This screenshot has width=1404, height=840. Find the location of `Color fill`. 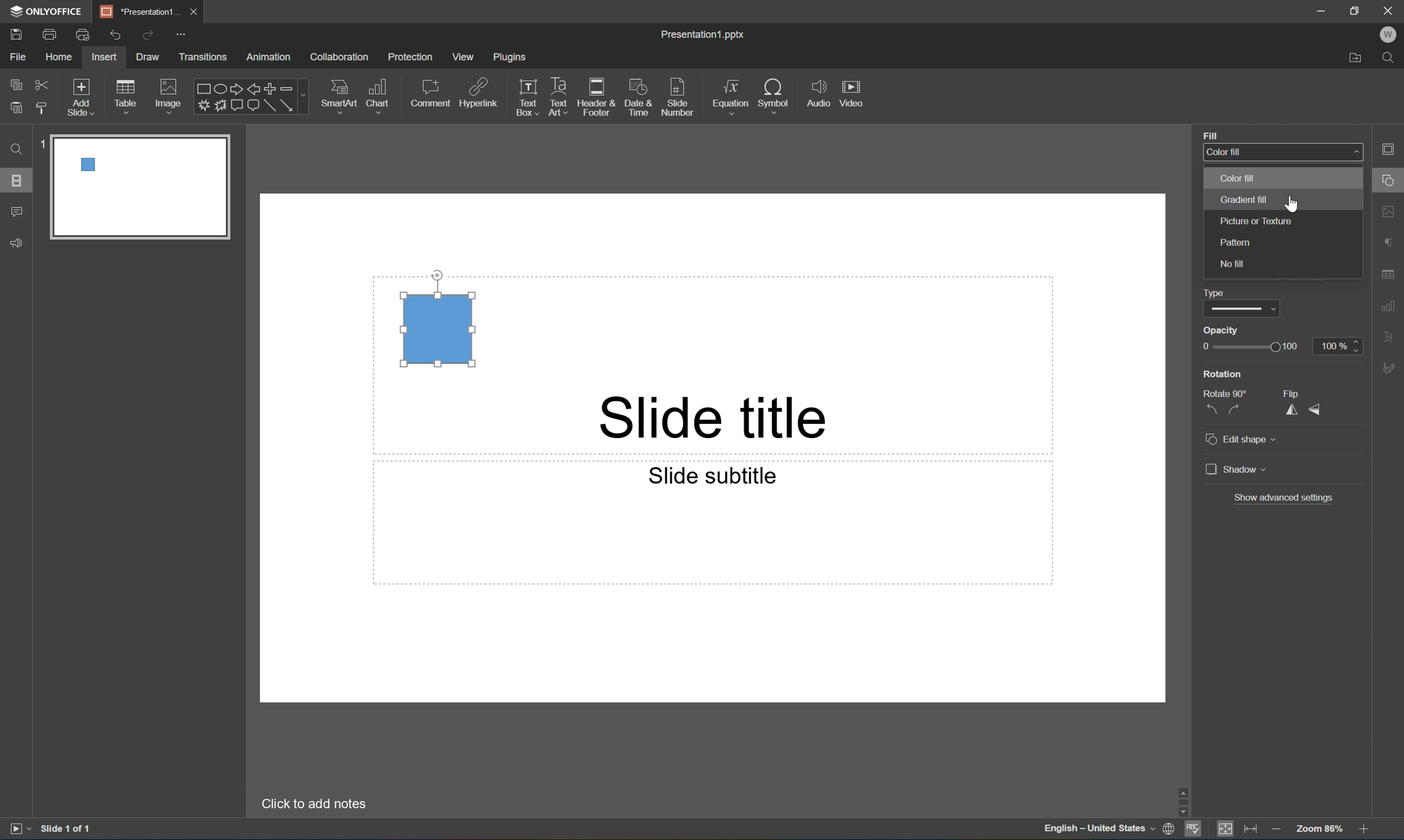

Color fill is located at coordinates (1231, 179).